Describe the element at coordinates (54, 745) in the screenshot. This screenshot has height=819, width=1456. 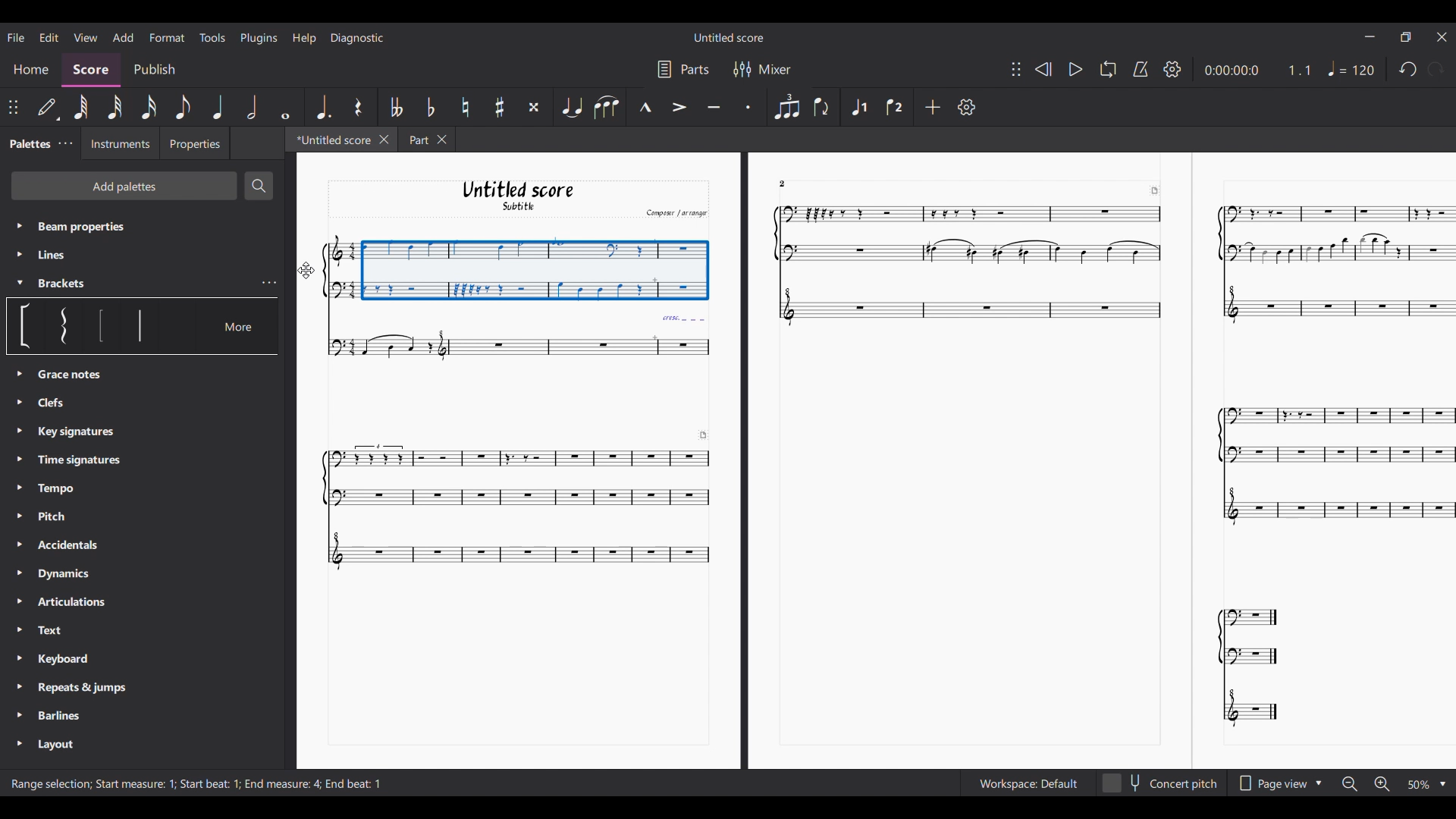
I see `Layout` at that location.